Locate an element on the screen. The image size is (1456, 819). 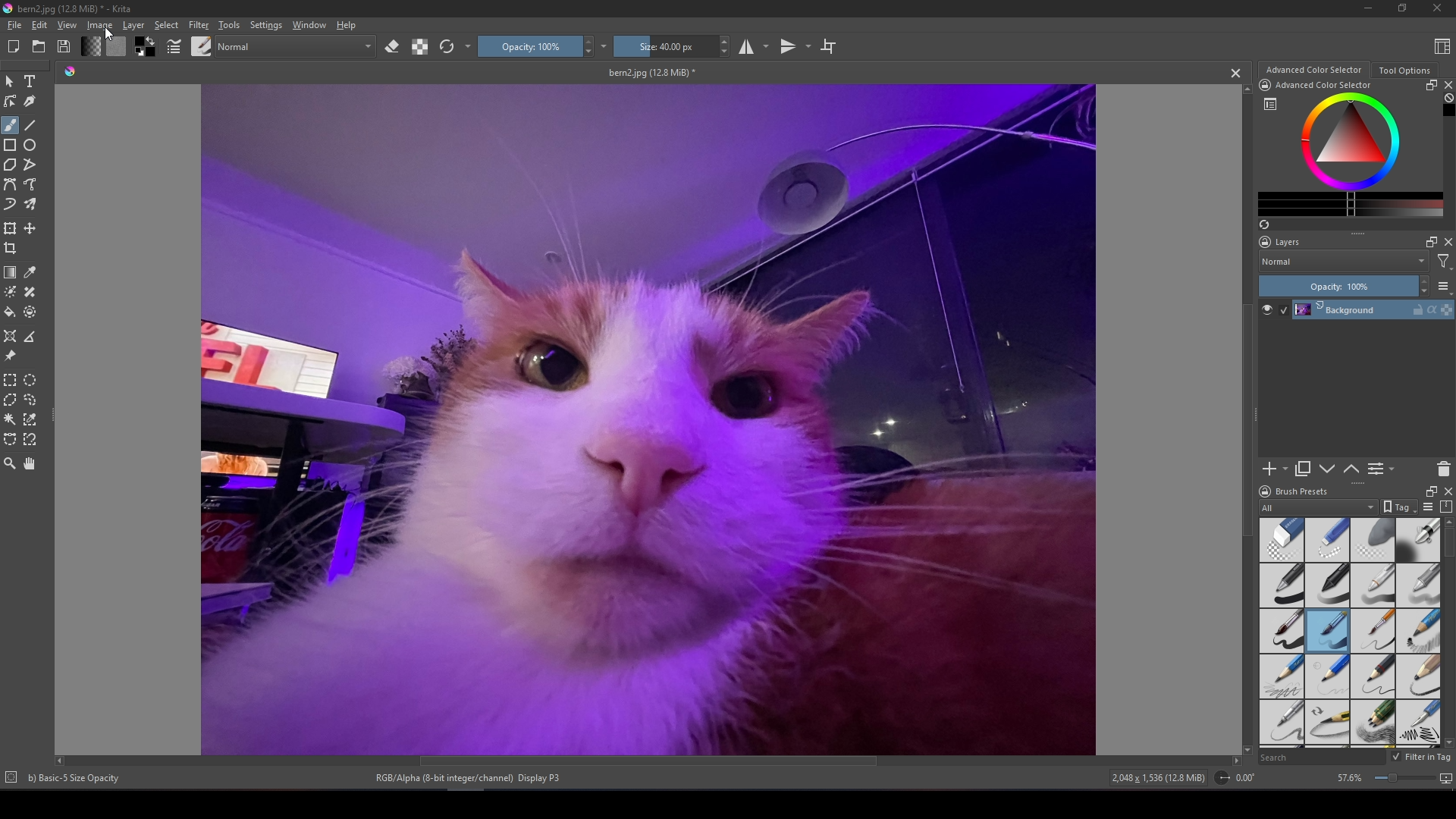
Rectangle tool is located at coordinates (10, 146).